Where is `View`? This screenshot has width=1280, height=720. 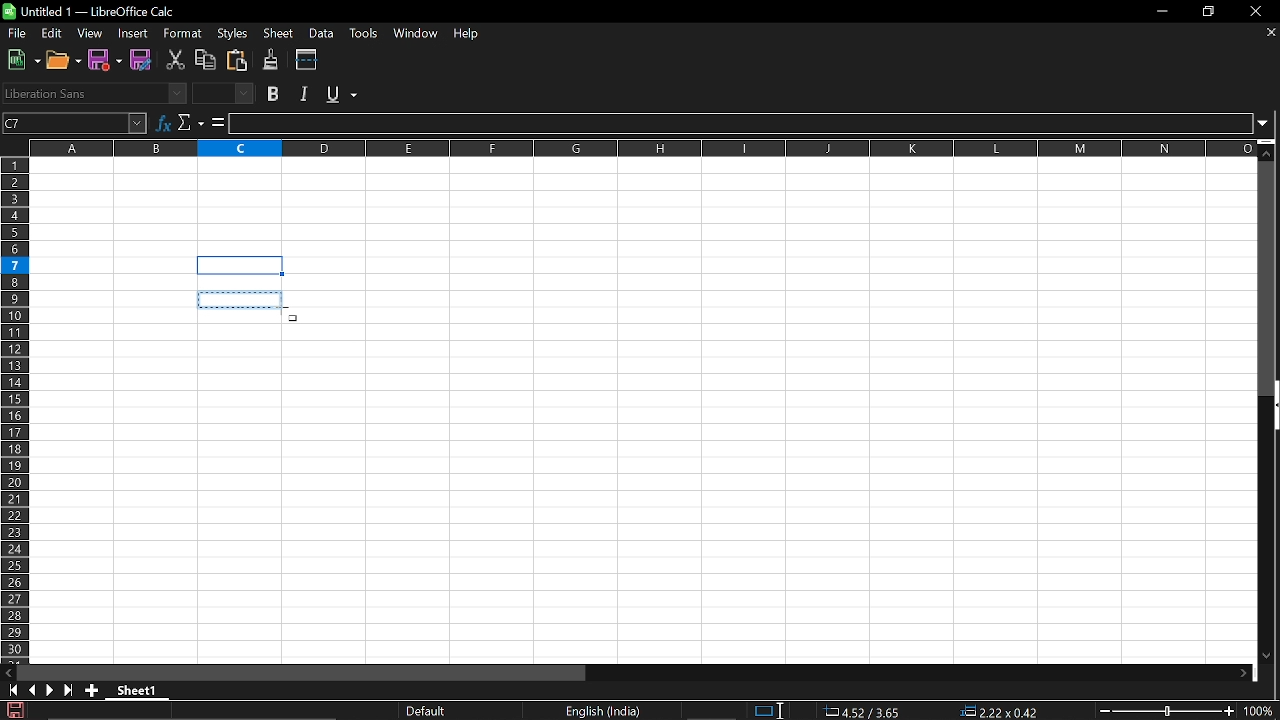
View is located at coordinates (90, 34).